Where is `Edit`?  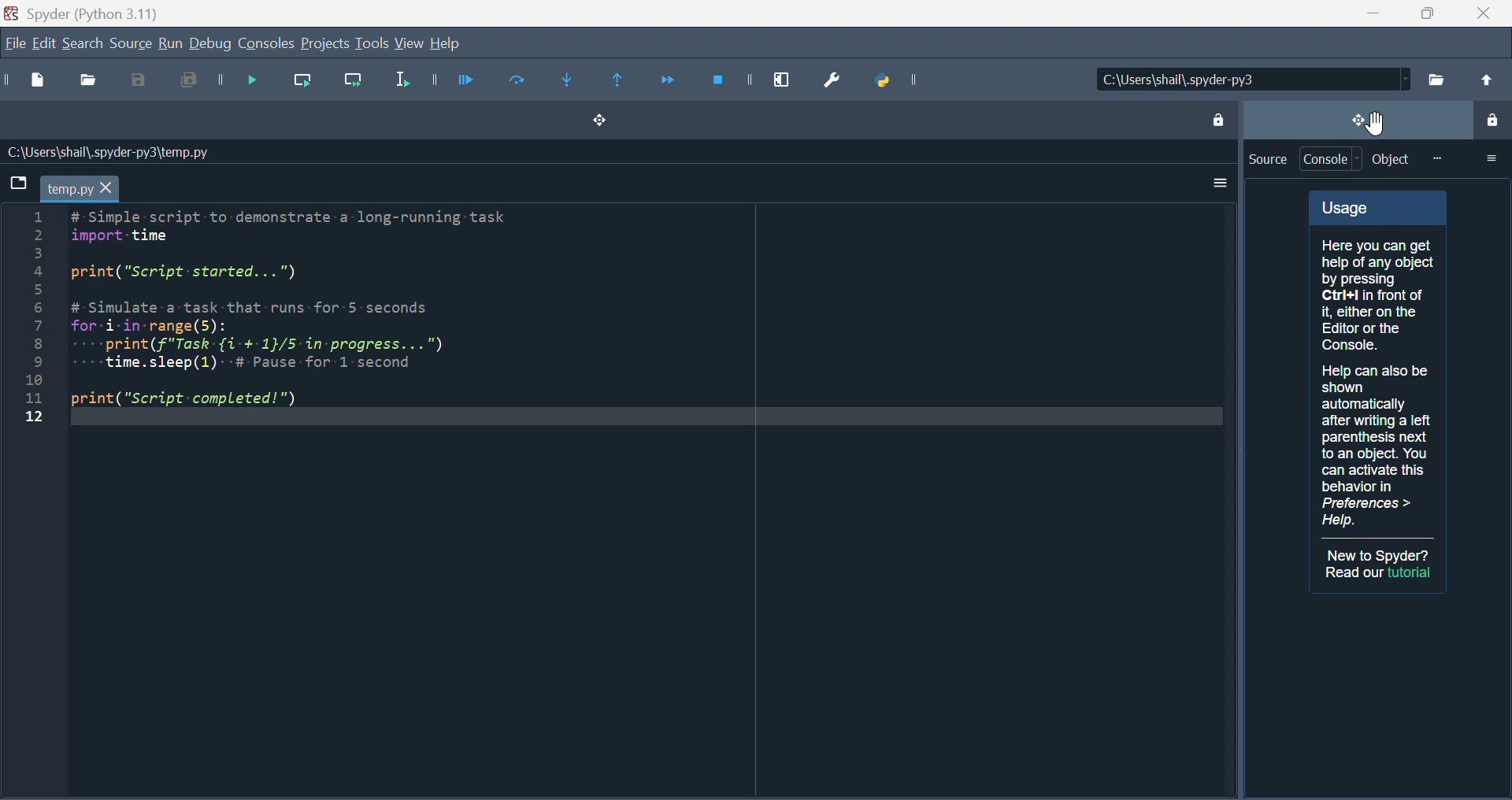 Edit is located at coordinates (42, 45).